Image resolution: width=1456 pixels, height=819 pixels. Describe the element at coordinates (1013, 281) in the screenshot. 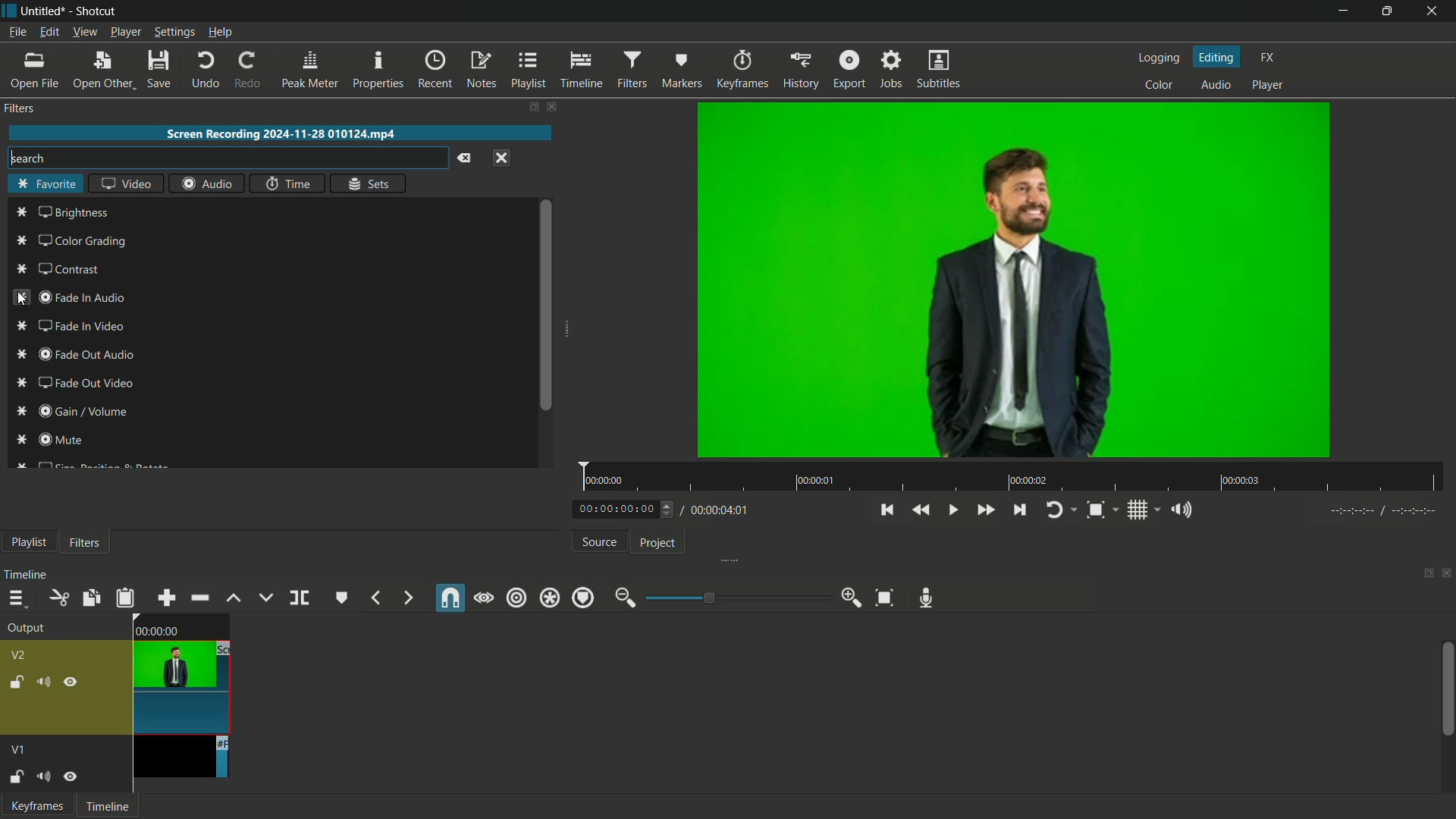

I see `imported video` at that location.